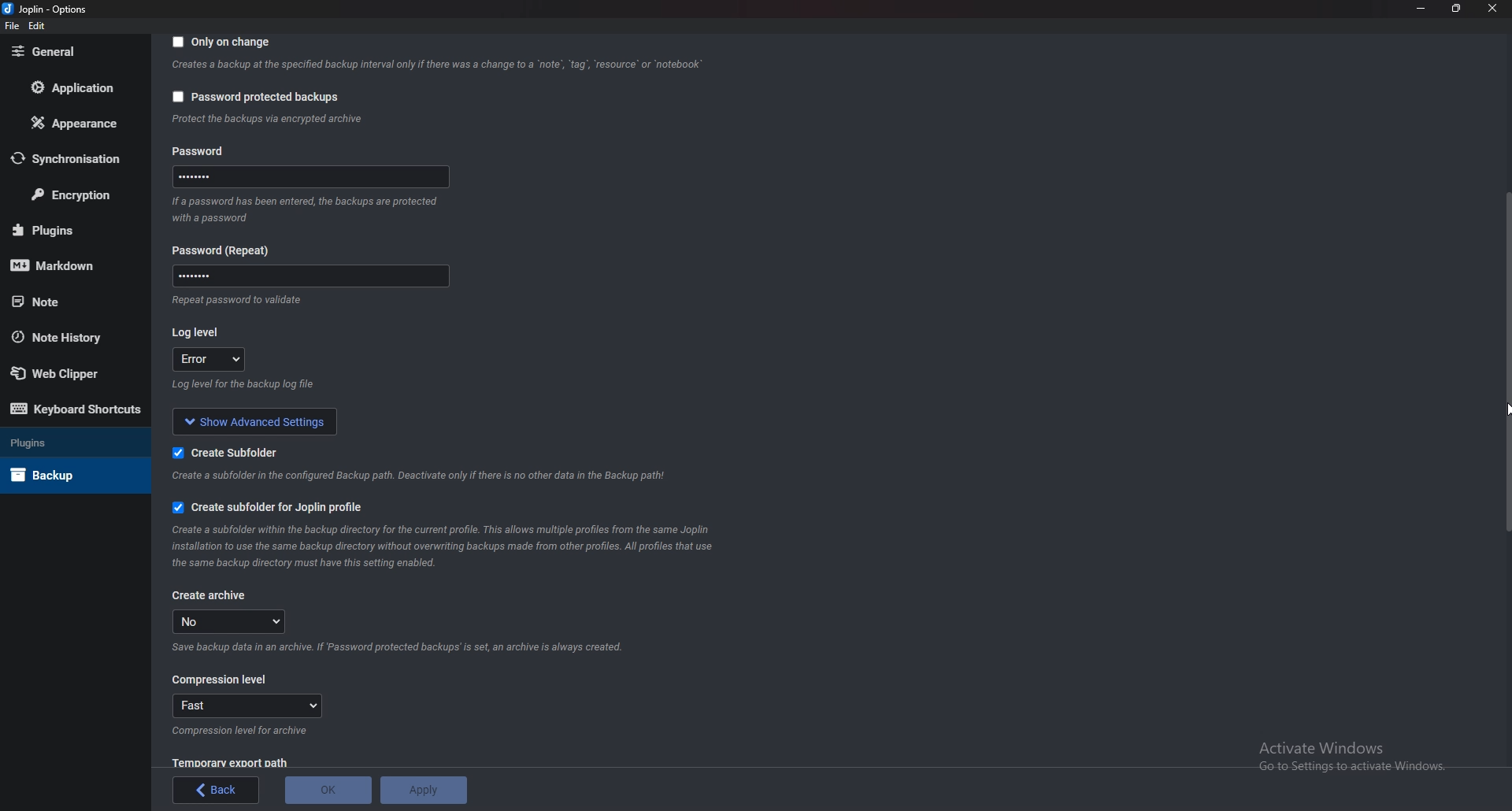 The image size is (1512, 811). What do you see at coordinates (328, 791) in the screenshot?
I see `O K` at bounding box center [328, 791].